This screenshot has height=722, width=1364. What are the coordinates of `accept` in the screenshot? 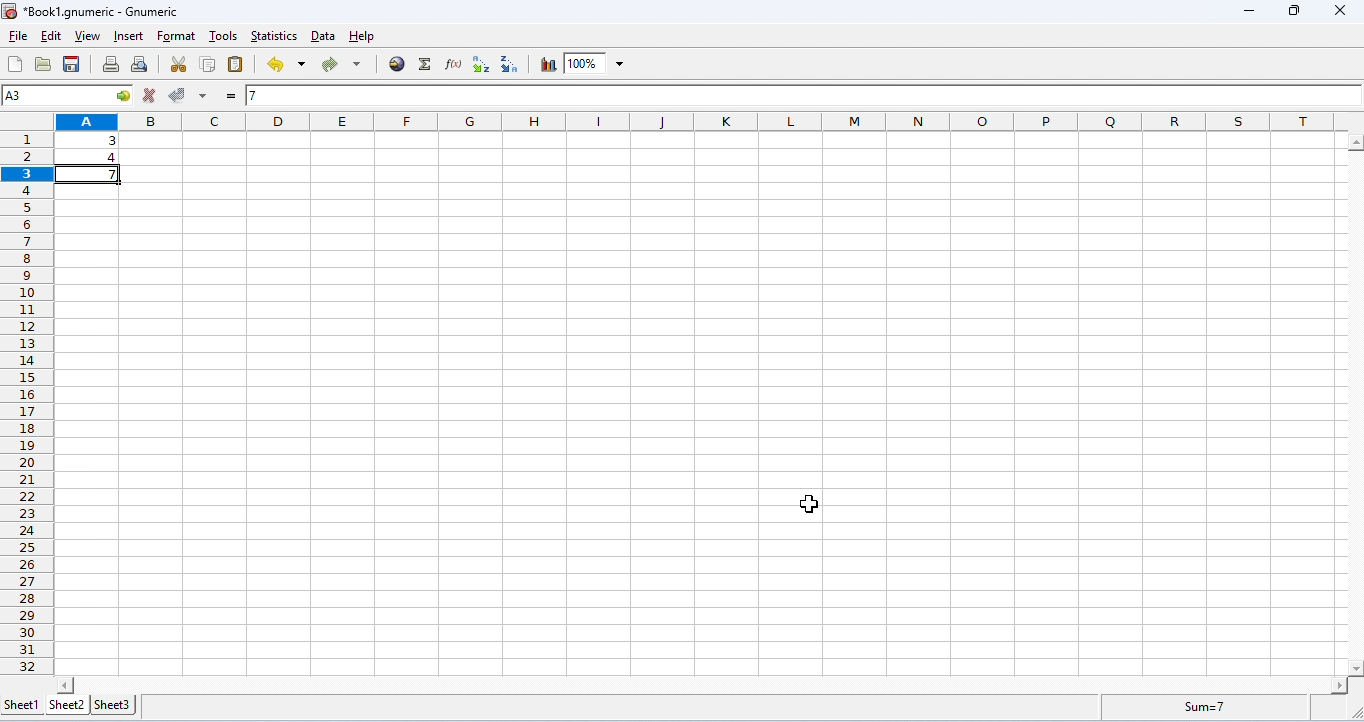 It's located at (177, 95).